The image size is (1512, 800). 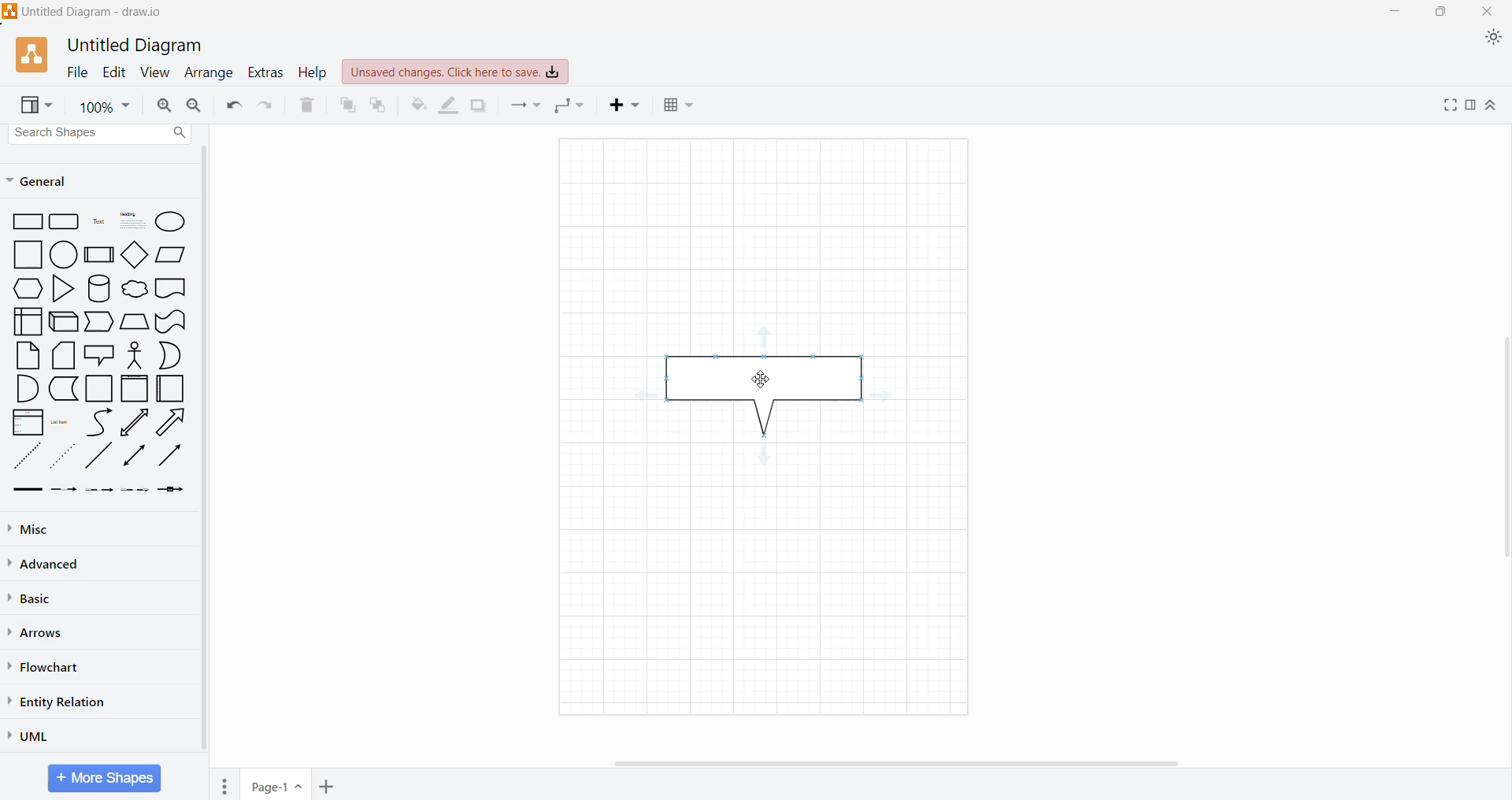 I want to click on list item, so click(x=63, y=421).